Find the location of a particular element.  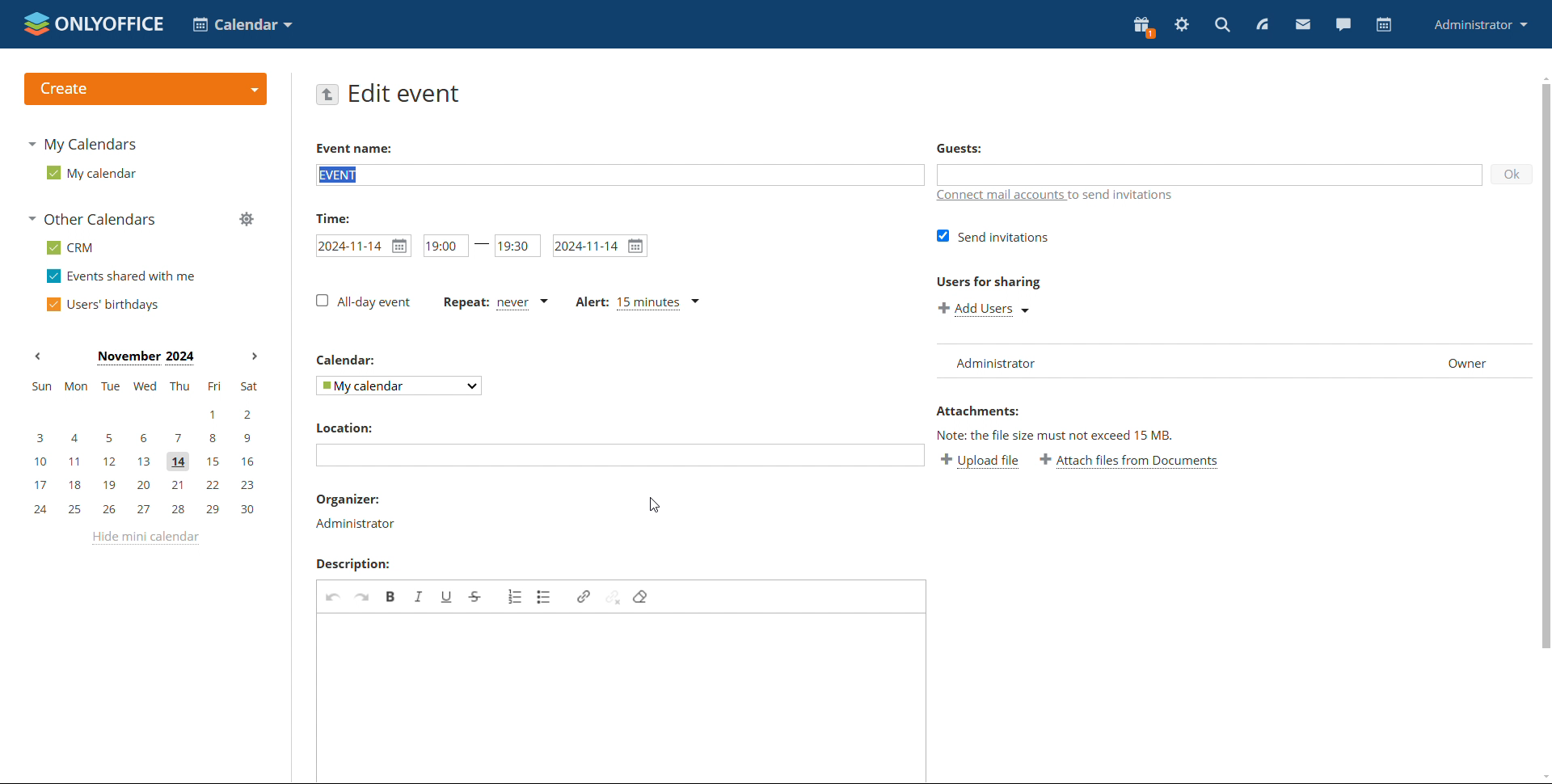

hide mini calendar is located at coordinates (143, 537).